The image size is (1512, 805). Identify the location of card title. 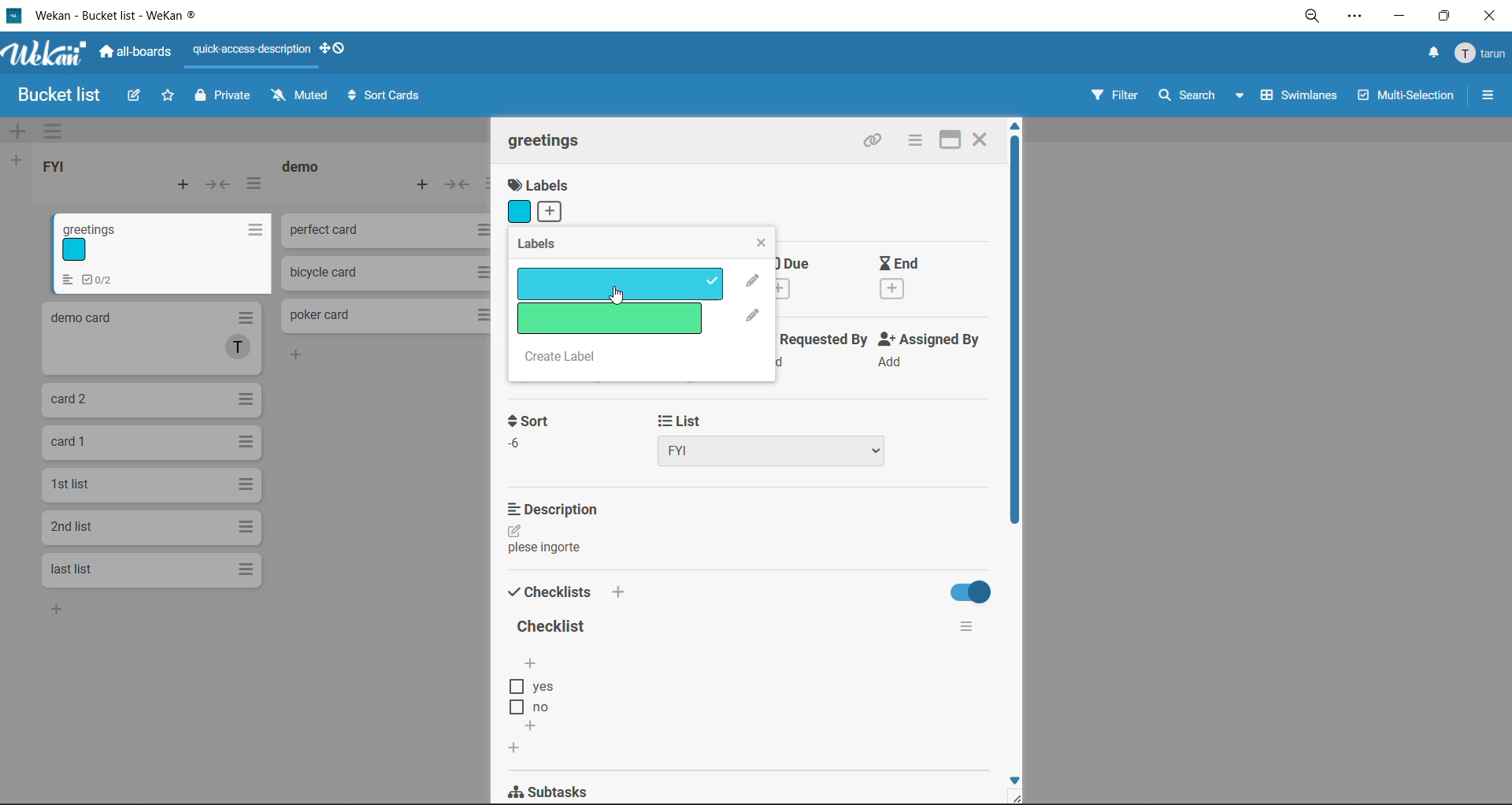
(547, 139).